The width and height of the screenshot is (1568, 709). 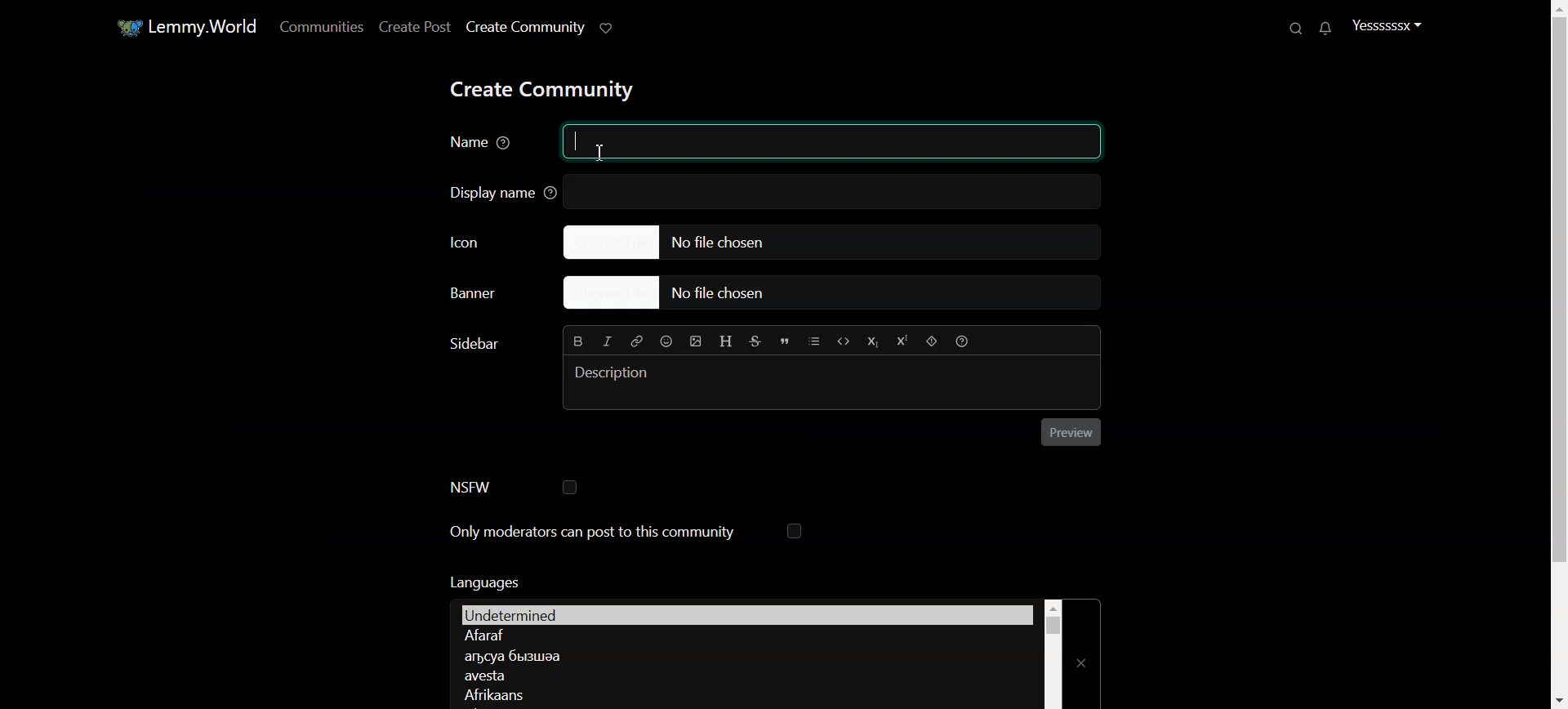 What do you see at coordinates (696, 341) in the screenshot?
I see `Insert Picture` at bounding box center [696, 341].